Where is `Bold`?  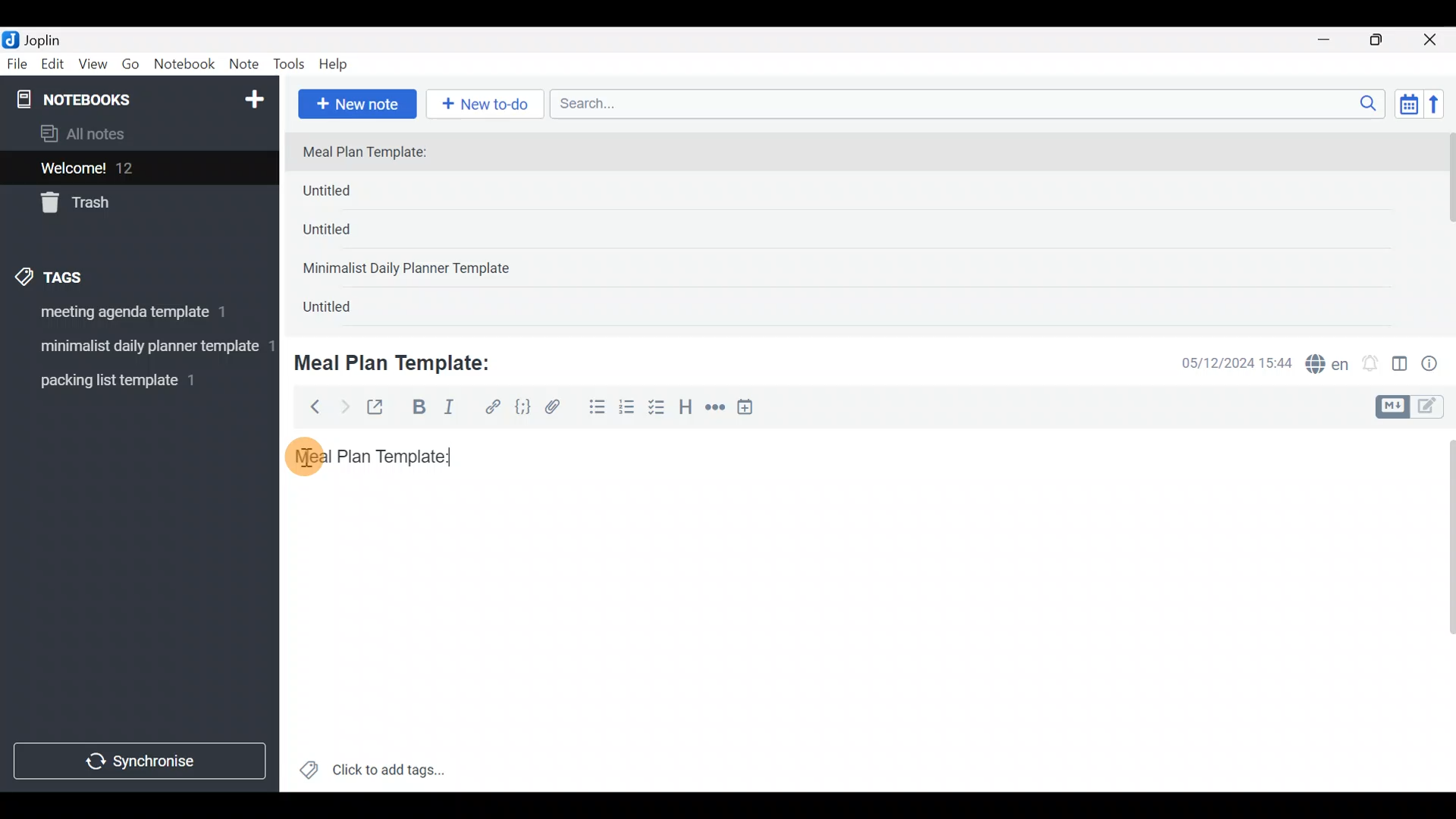
Bold is located at coordinates (418, 409).